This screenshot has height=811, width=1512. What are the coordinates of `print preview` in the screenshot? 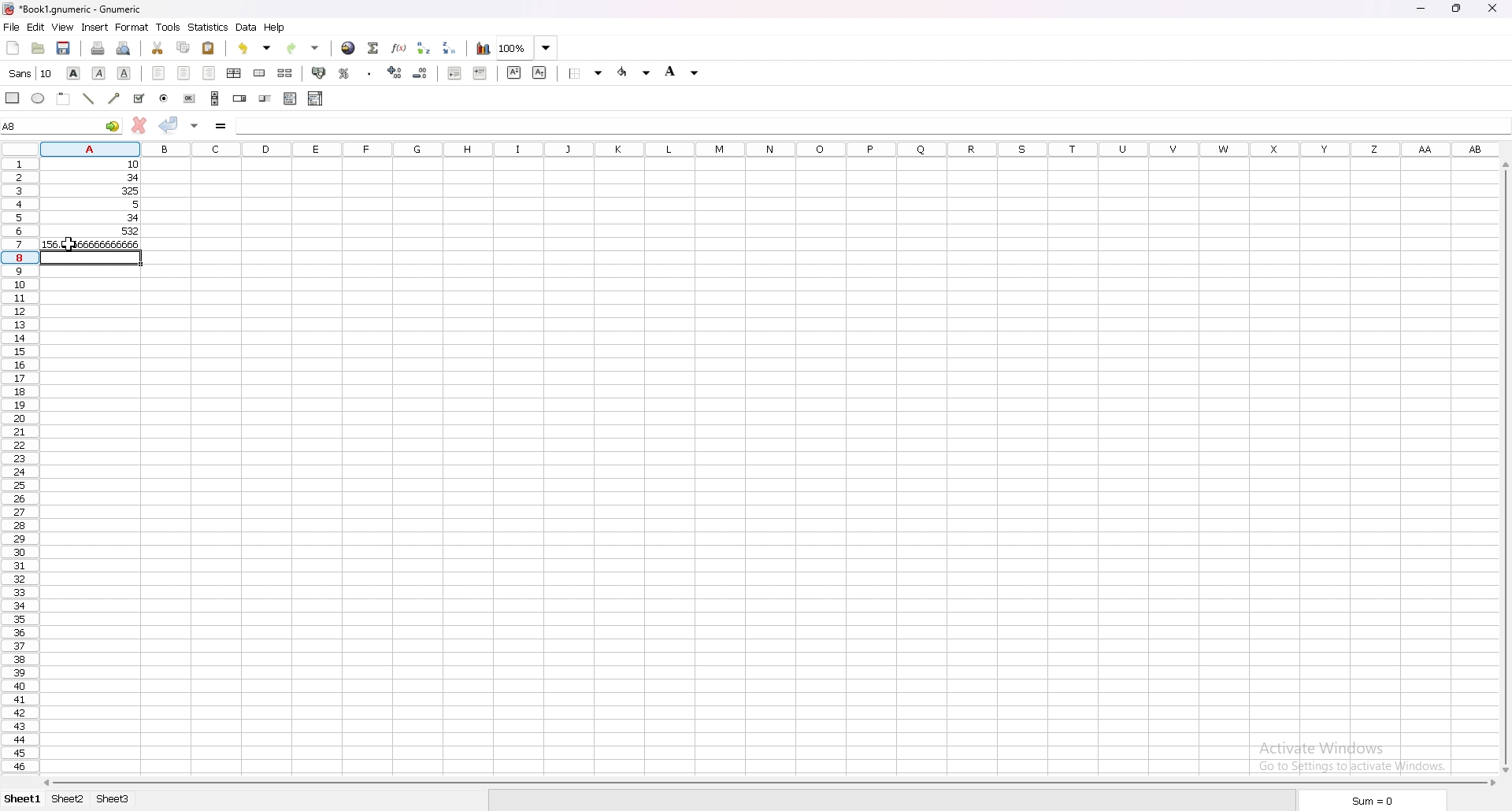 It's located at (124, 48).